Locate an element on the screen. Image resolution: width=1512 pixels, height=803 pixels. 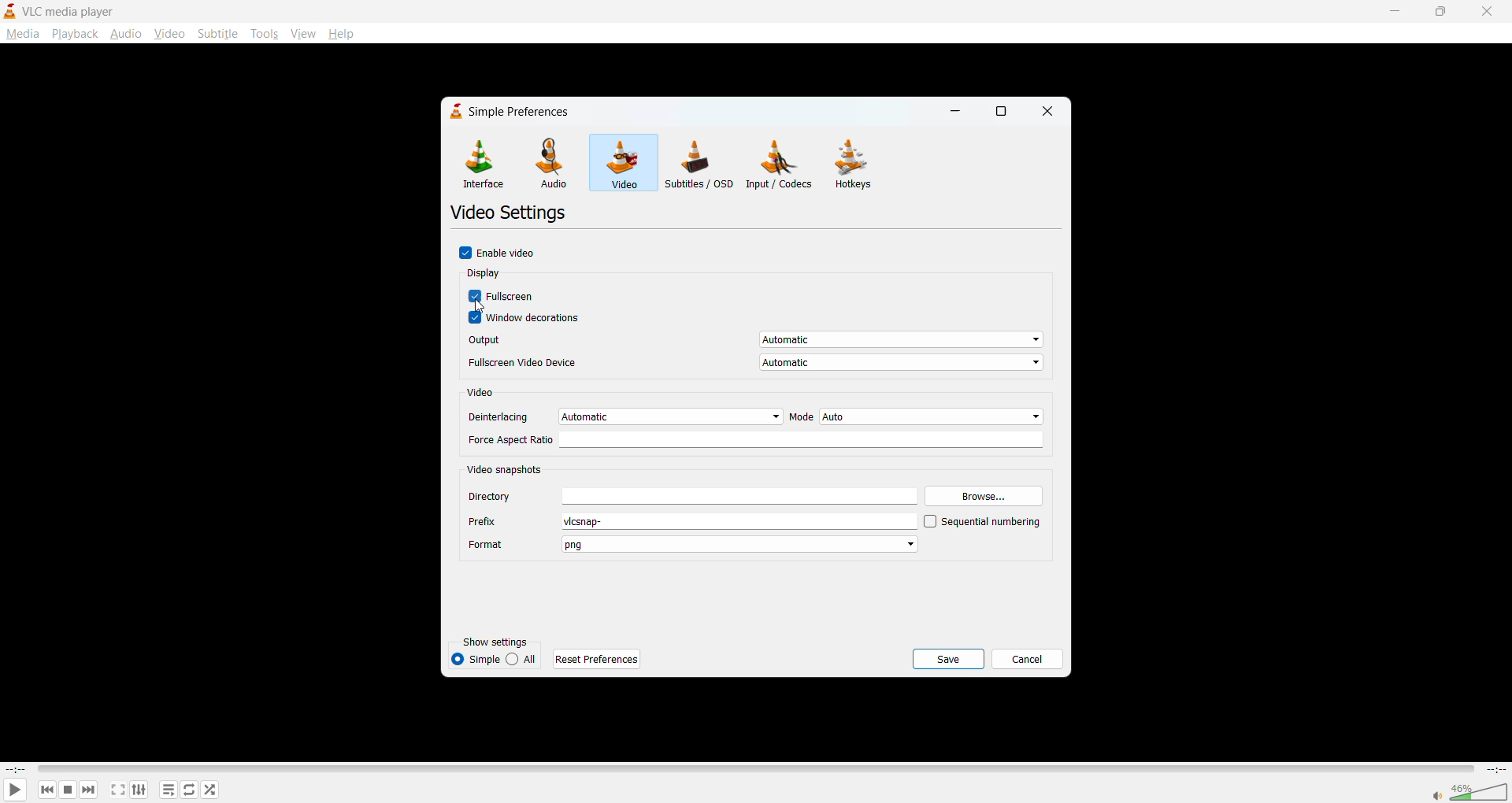
total track time is located at coordinates (1495, 769).